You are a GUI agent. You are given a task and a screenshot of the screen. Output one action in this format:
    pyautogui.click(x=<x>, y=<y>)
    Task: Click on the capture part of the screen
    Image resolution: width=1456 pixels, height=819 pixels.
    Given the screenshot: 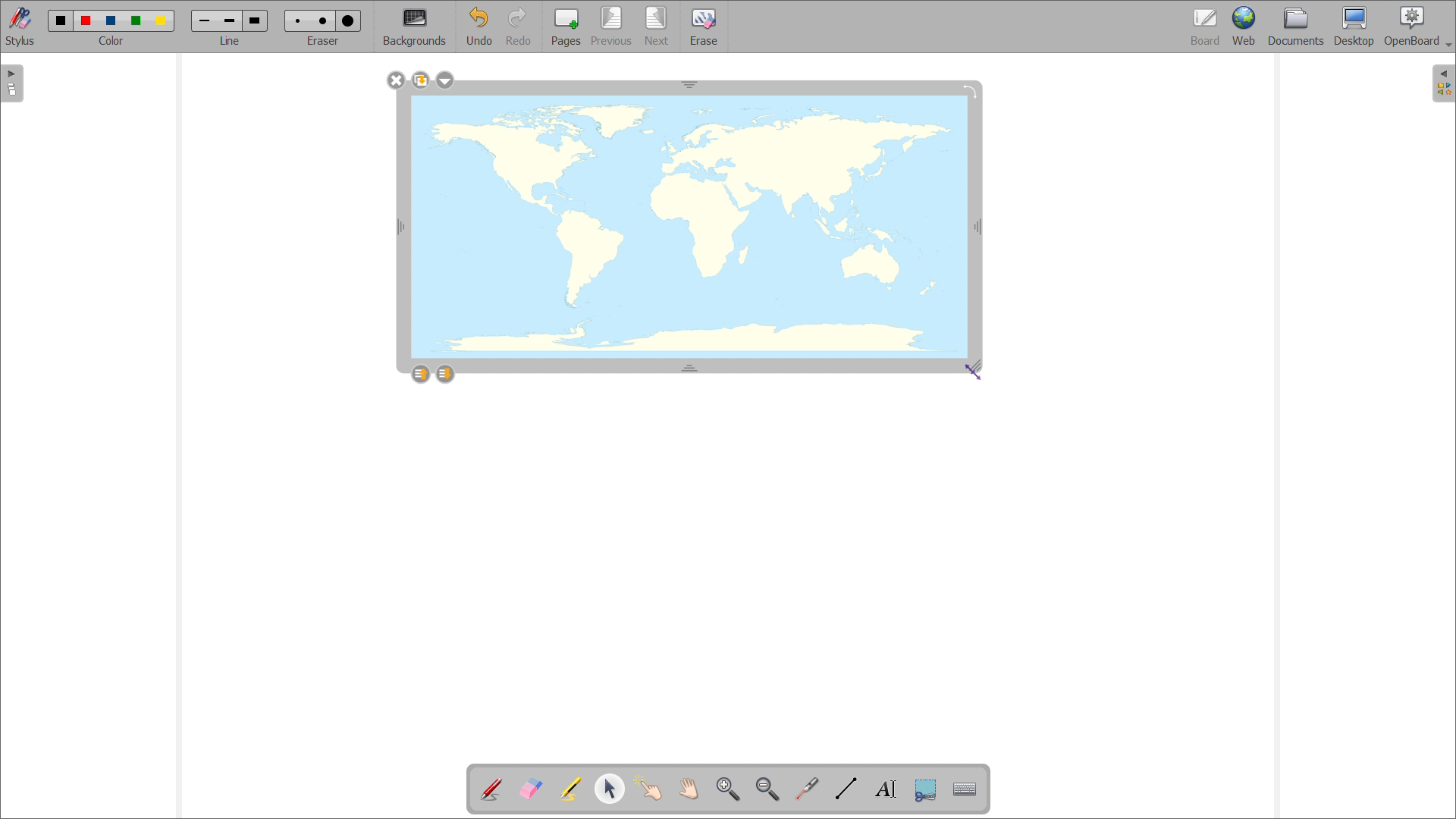 What is the action you would take?
    pyautogui.click(x=927, y=789)
    